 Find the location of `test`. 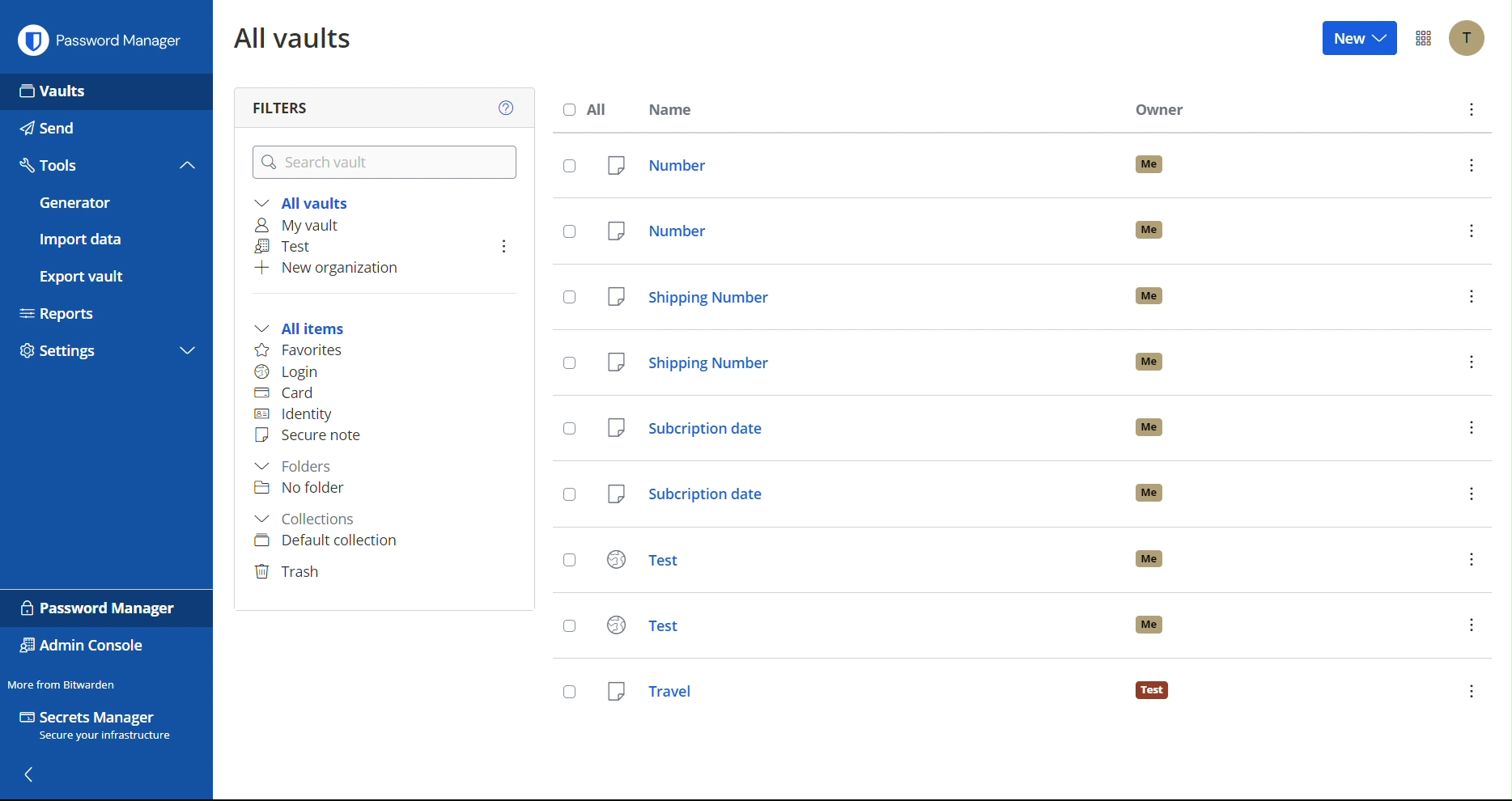

test is located at coordinates (856, 625).